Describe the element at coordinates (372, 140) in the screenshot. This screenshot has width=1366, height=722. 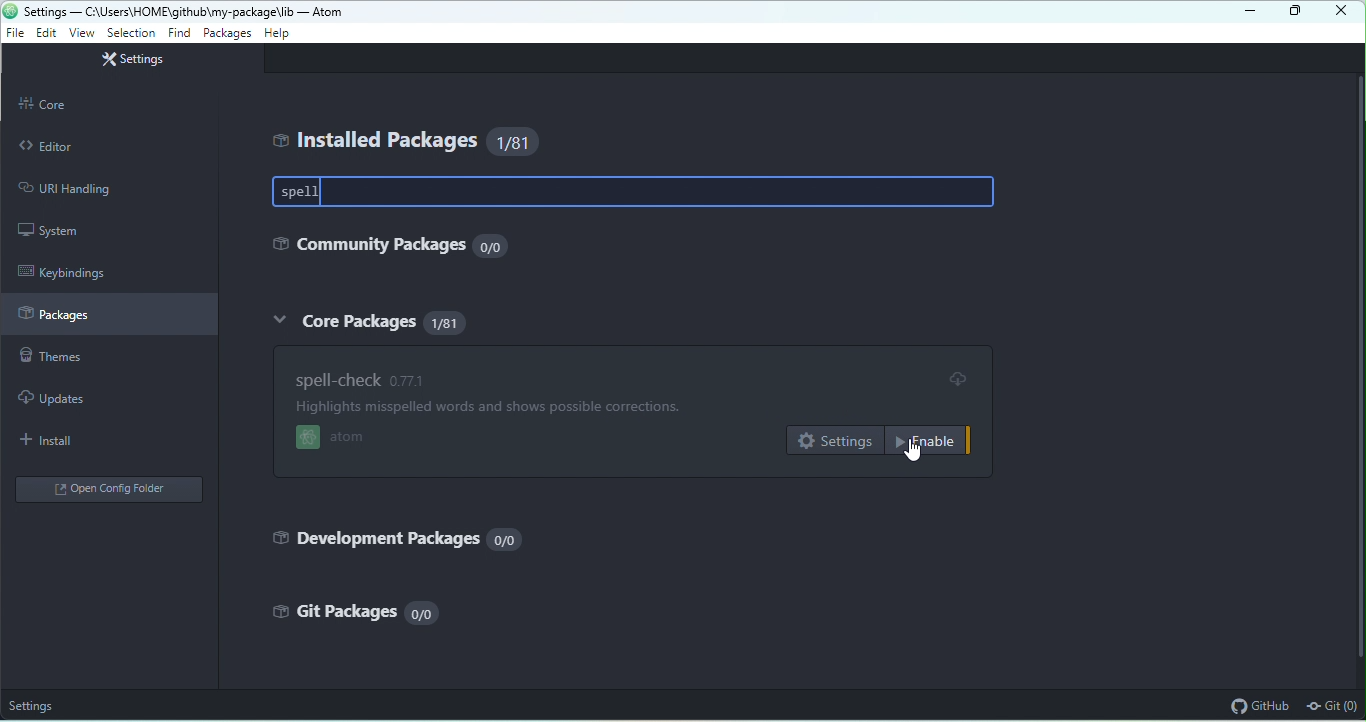
I see `installed packages` at that location.